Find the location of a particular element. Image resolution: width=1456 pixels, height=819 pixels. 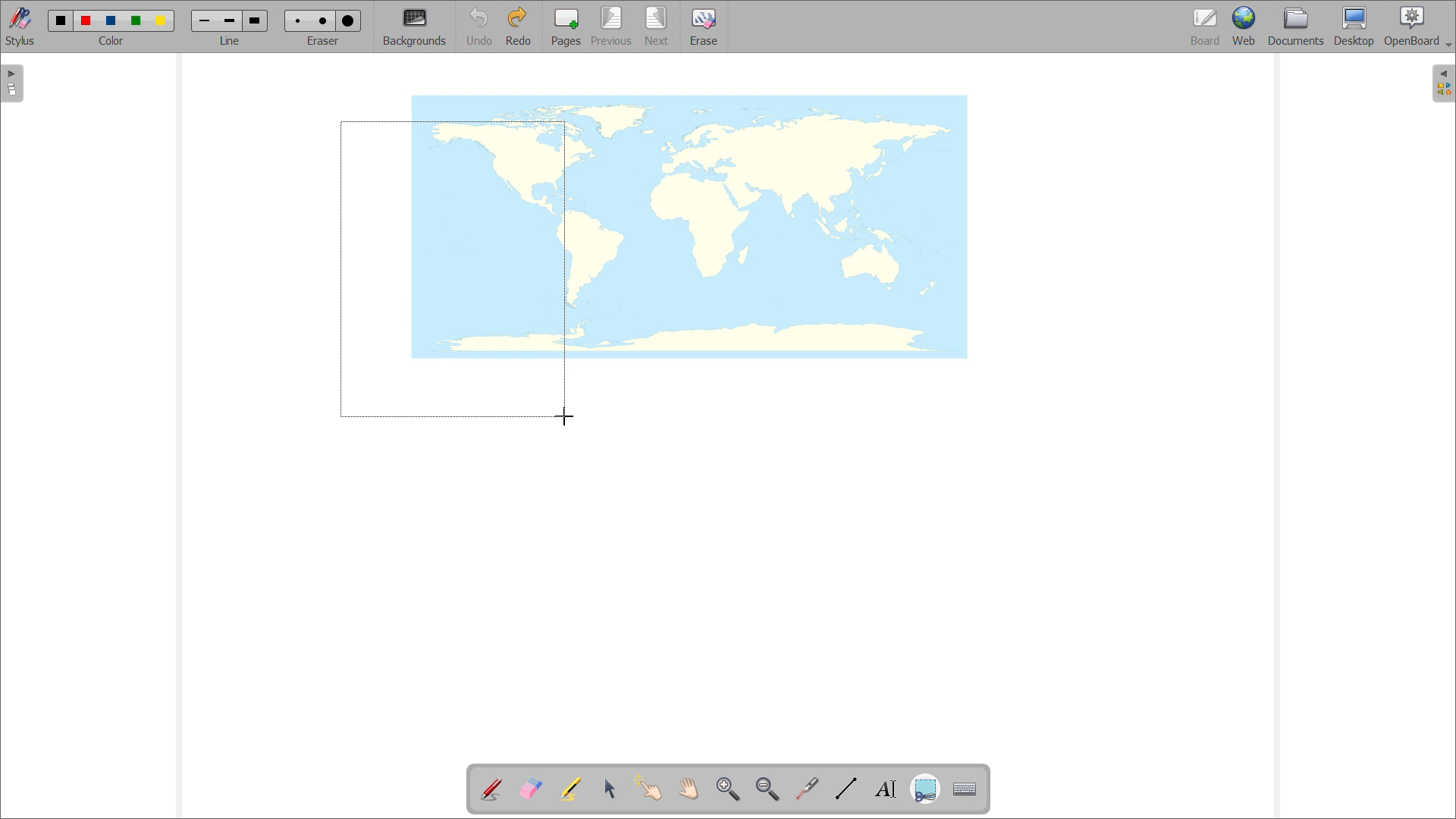

virtual keyboard is located at coordinates (965, 789).